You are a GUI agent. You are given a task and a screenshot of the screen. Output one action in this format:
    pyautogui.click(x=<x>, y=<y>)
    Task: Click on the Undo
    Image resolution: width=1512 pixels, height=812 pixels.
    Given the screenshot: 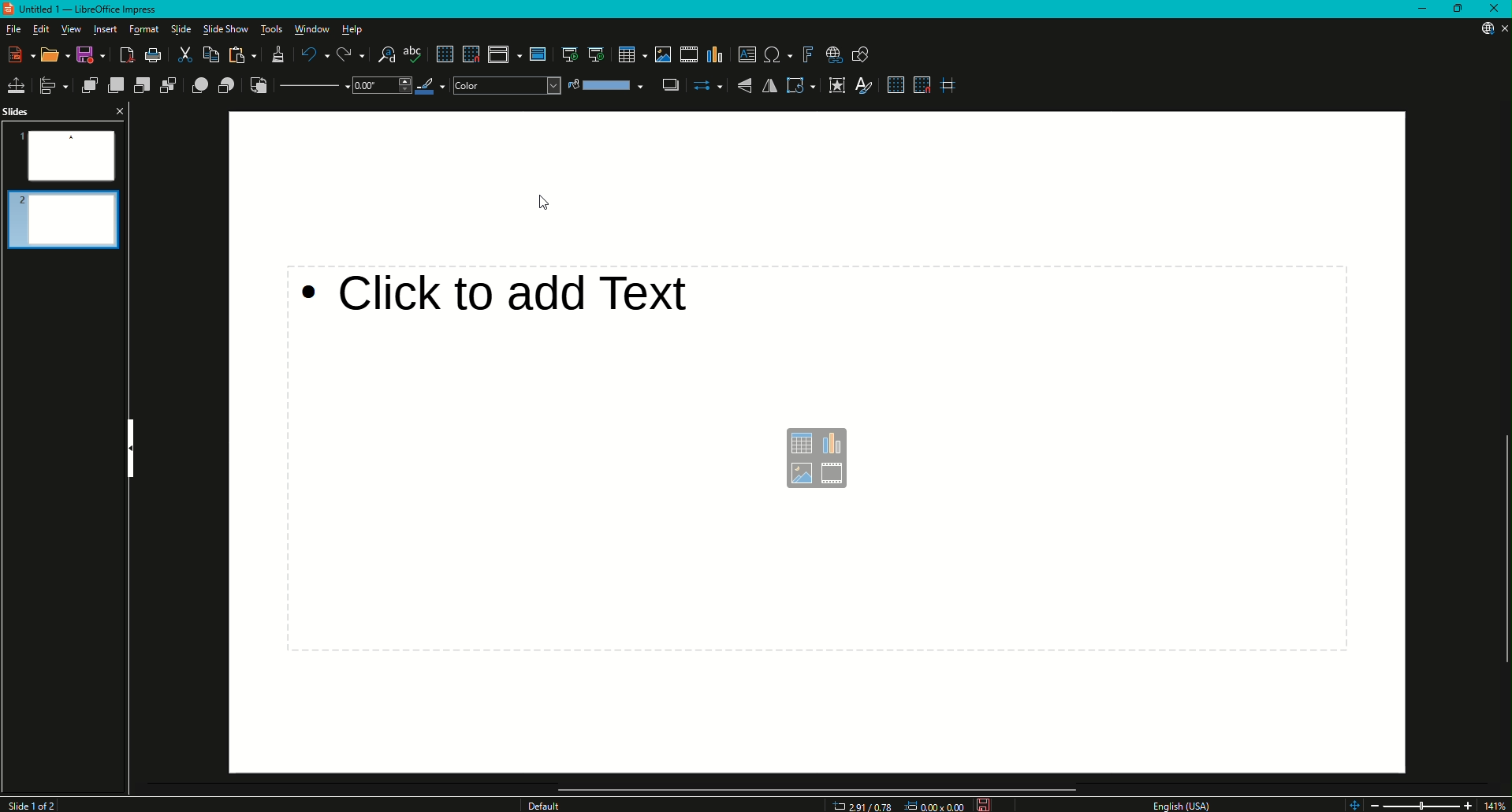 What is the action you would take?
    pyautogui.click(x=311, y=54)
    